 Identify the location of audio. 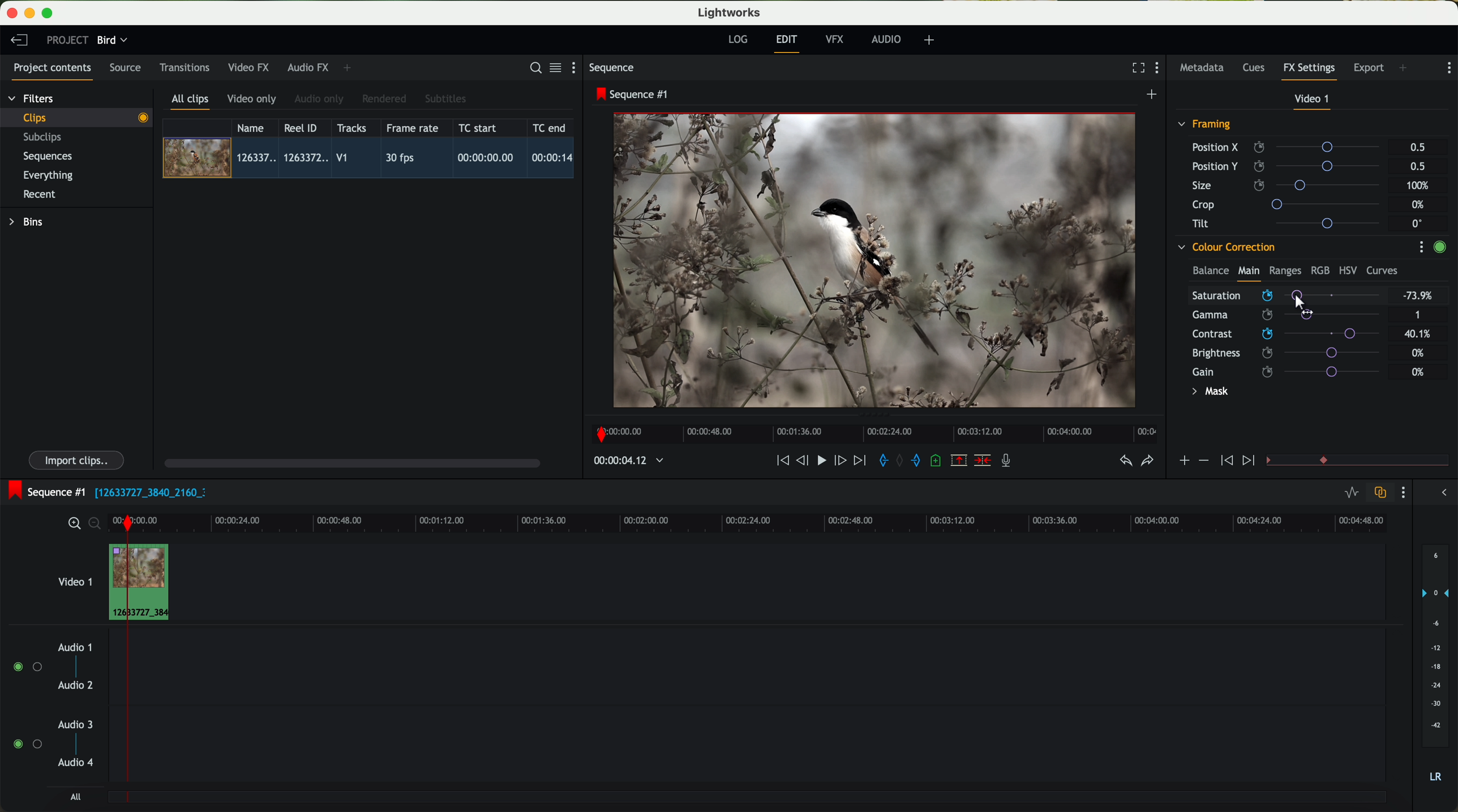
(886, 39).